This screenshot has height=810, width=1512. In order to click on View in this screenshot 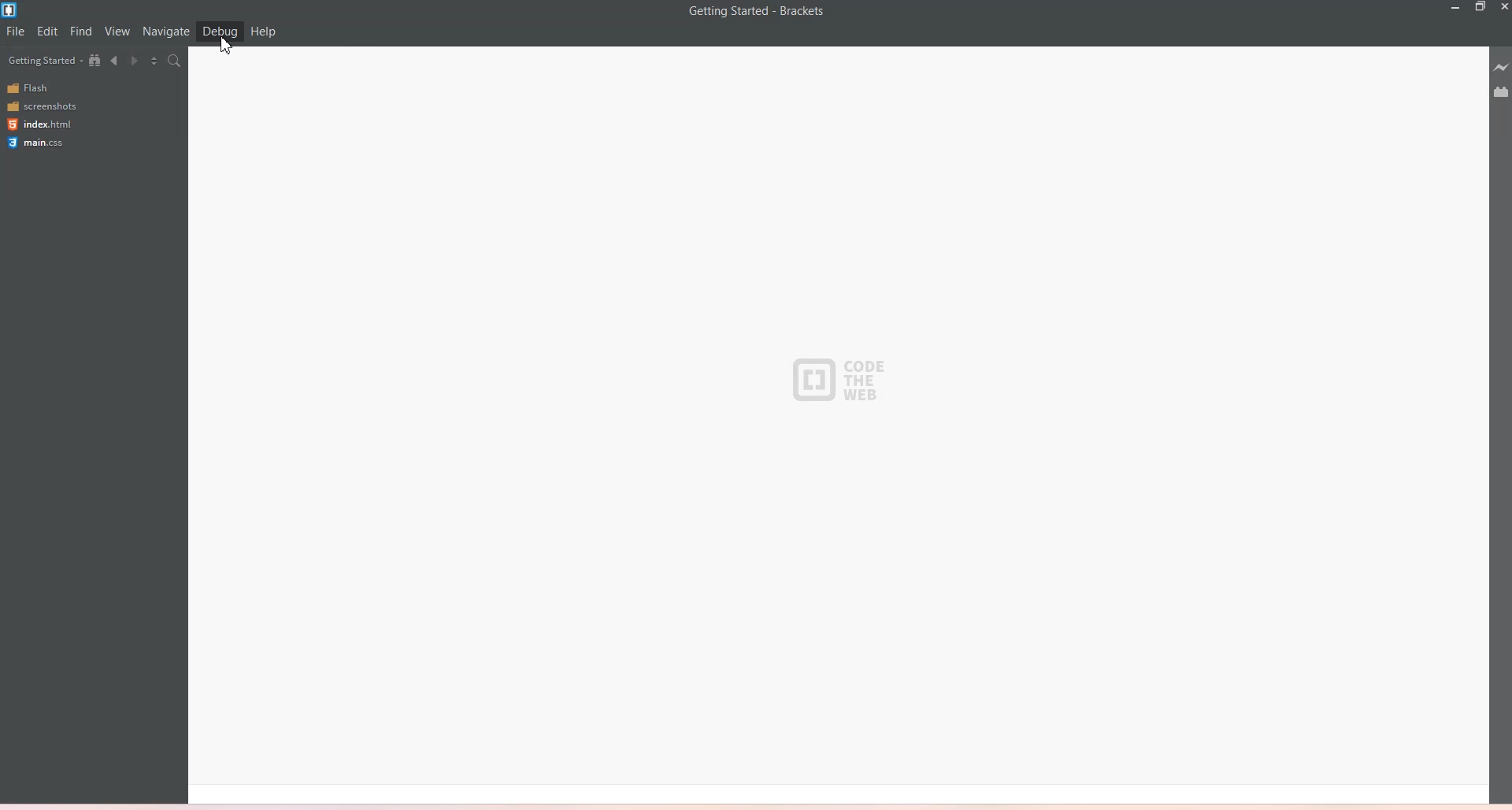, I will do `click(117, 32)`.